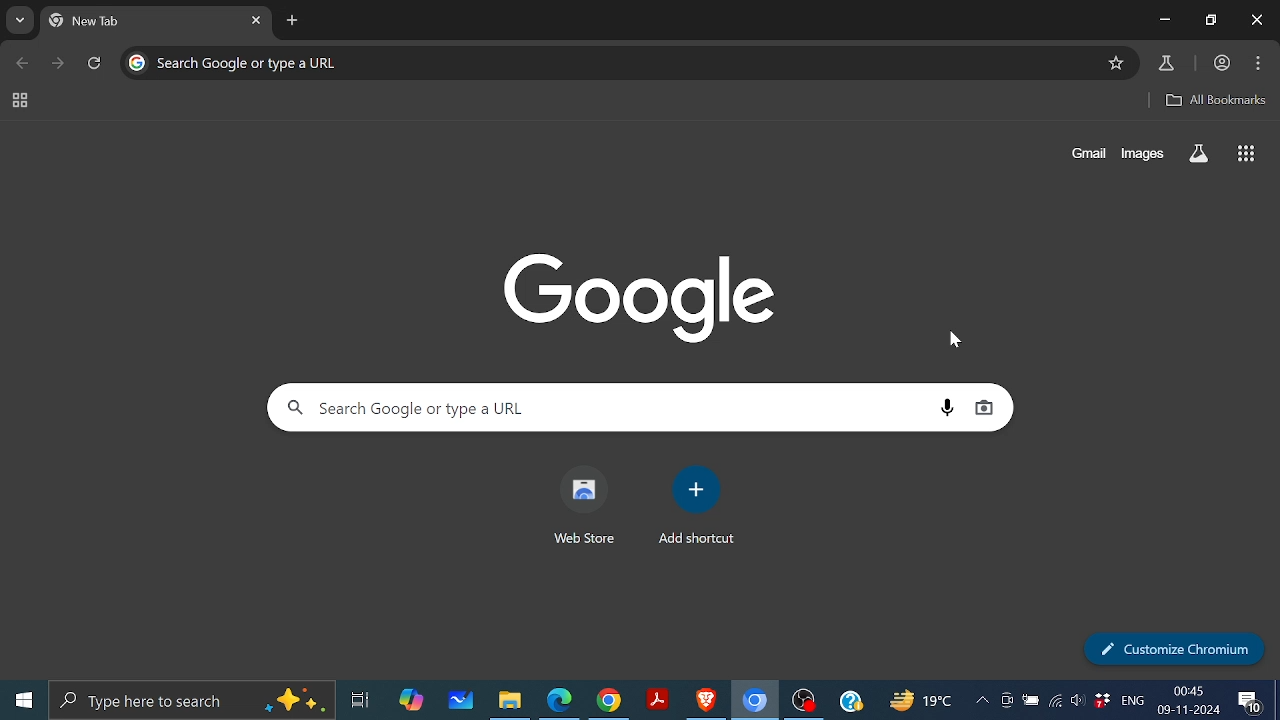  Describe the element at coordinates (20, 100) in the screenshot. I see `Tab groups` at that location.